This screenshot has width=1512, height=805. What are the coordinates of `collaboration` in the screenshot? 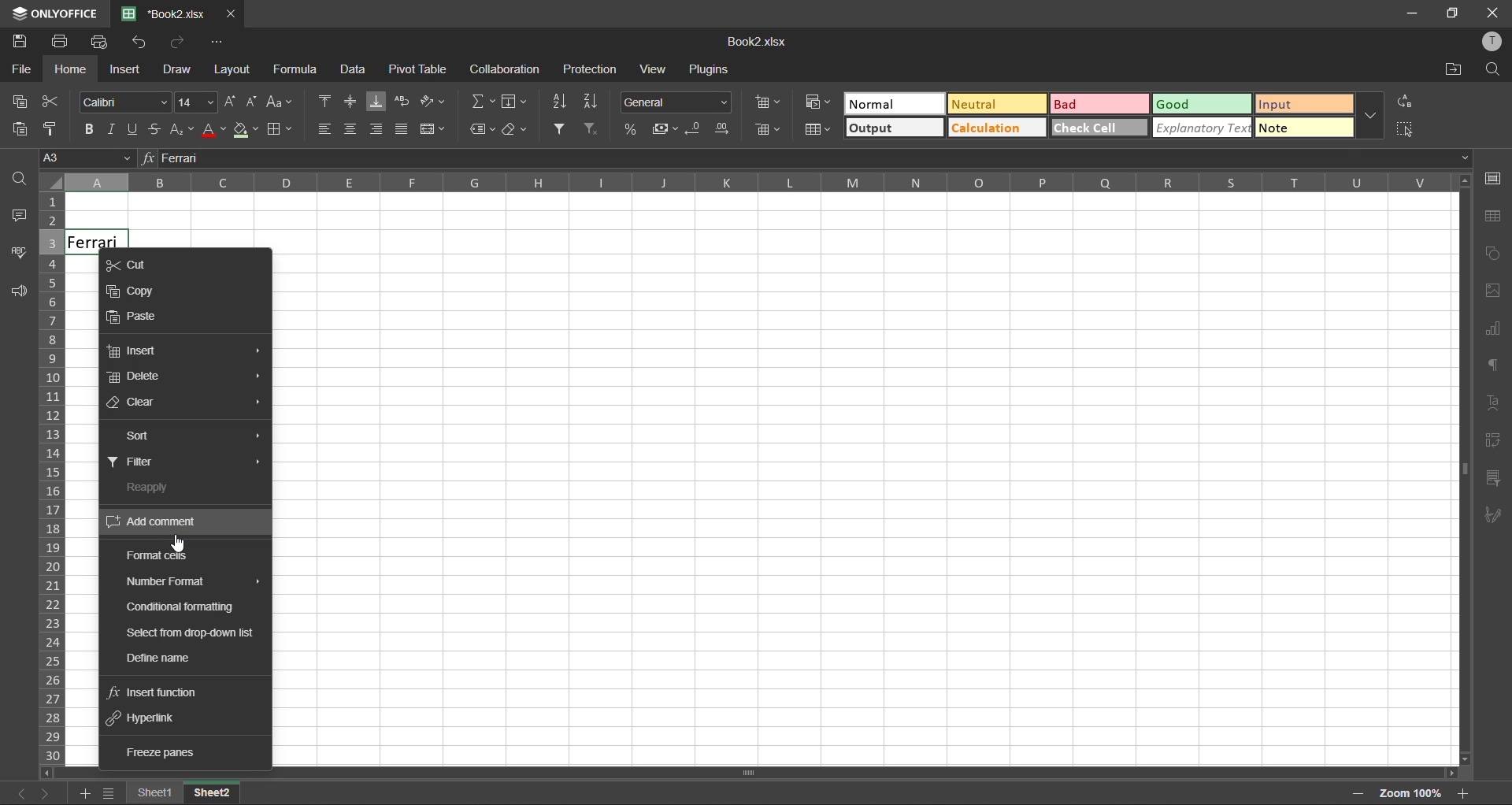 It's located at (504, 69).